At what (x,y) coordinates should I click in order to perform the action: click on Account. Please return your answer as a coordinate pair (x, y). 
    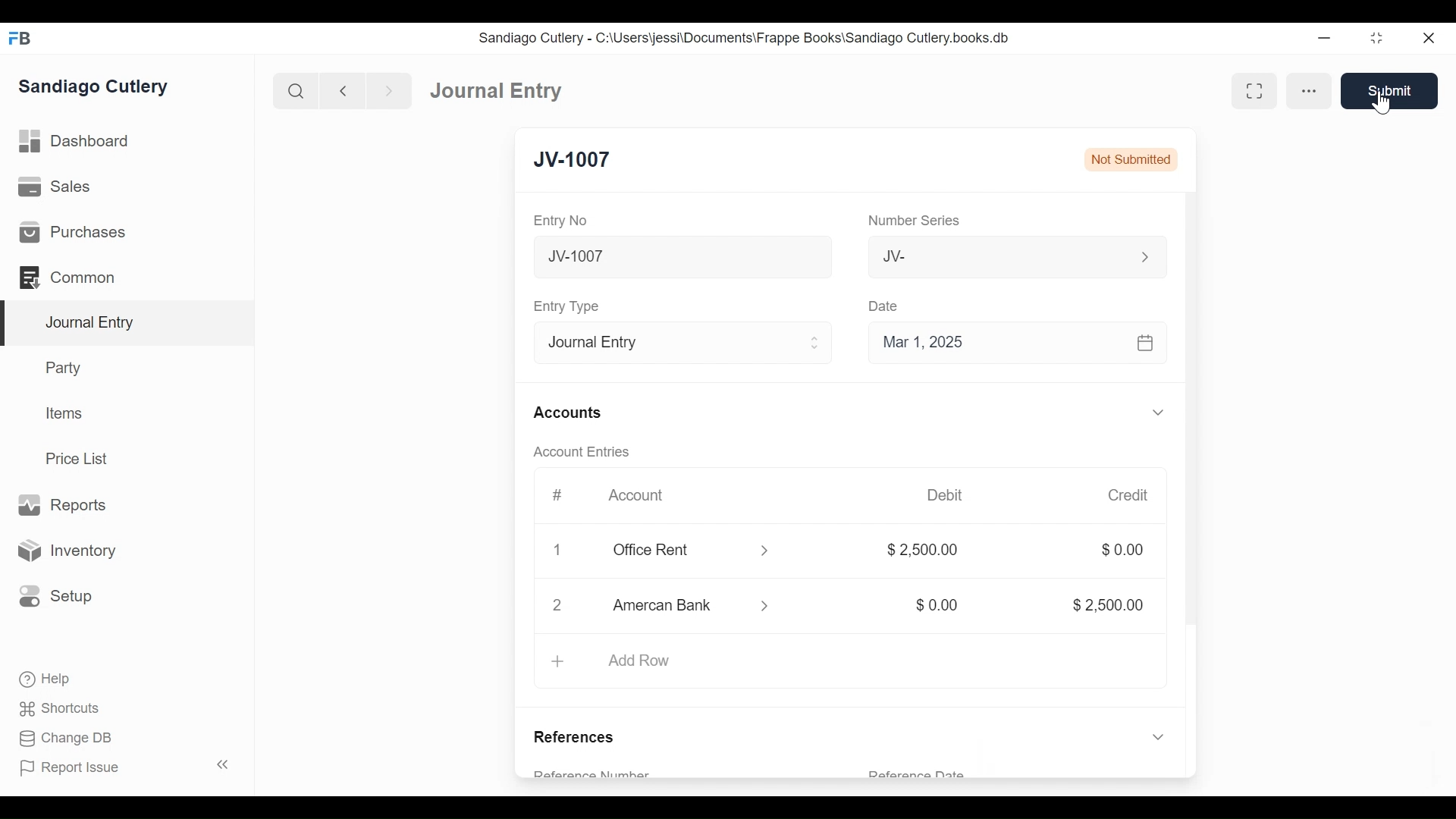
    Looking at the image, I should click on (635, 496).